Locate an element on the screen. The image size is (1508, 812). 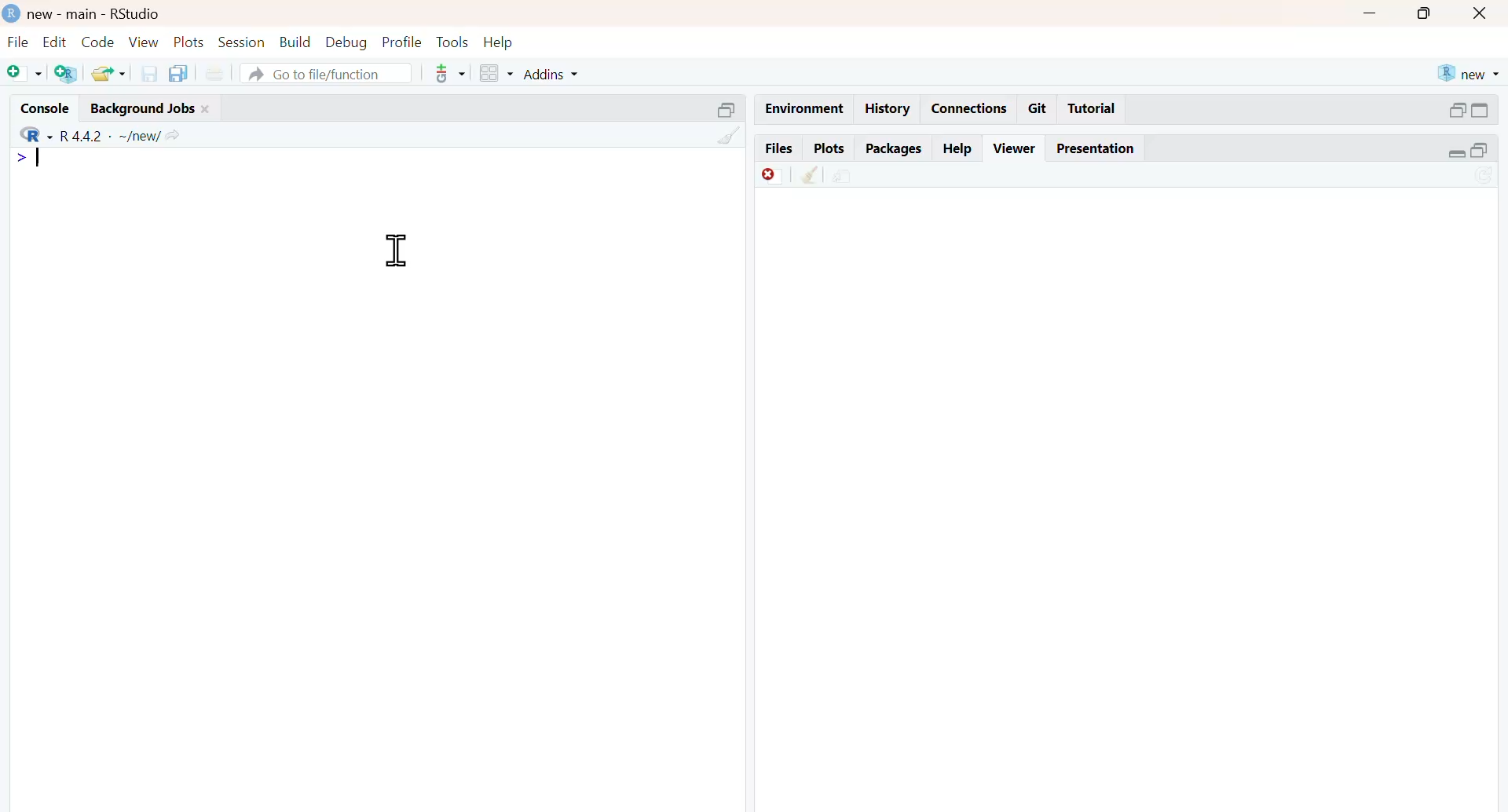
history is located at coordinates (888, 108).